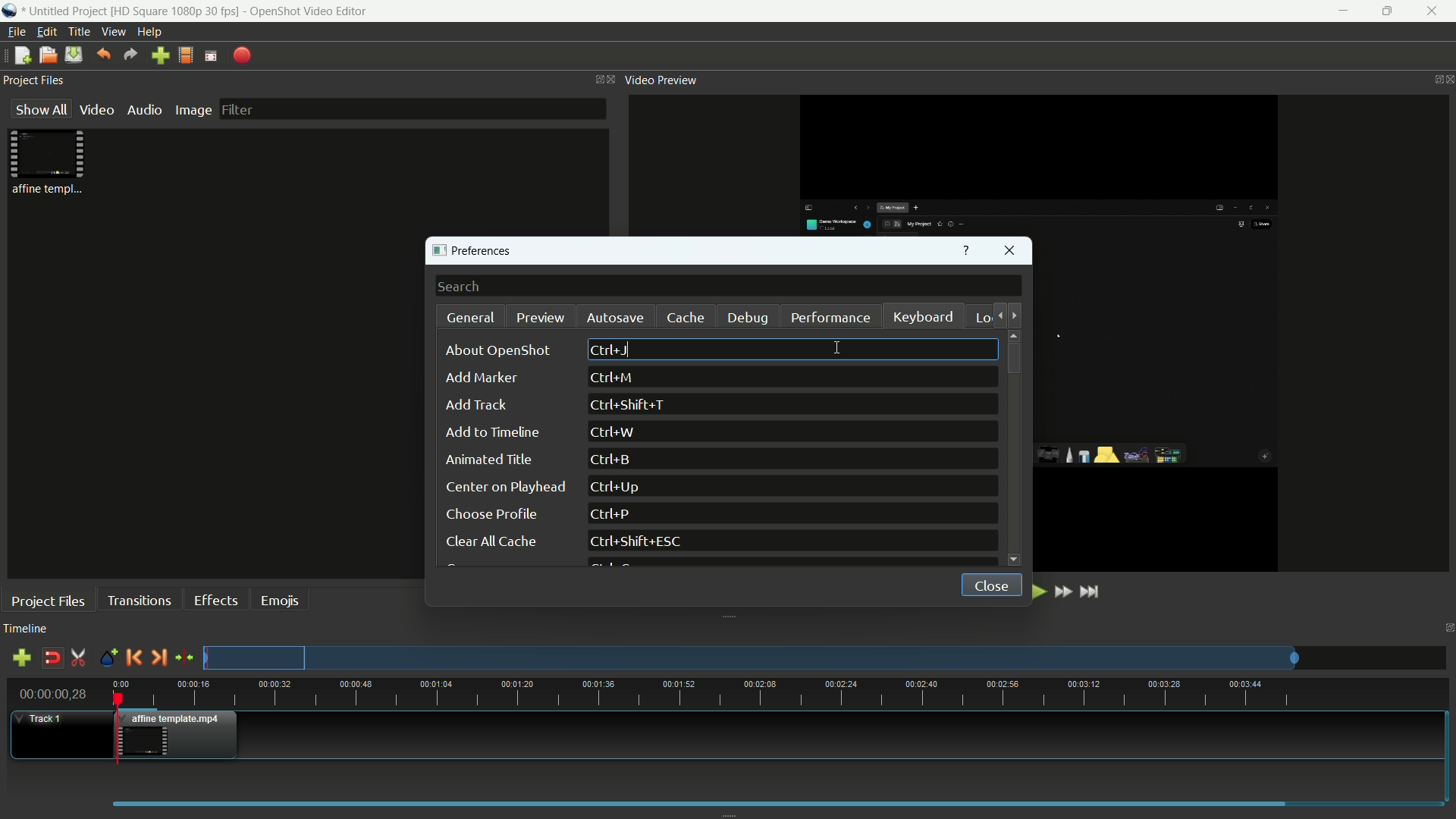  What do you see at coordinates (686, 318) in the screenshot?
I see `cache` at bounding box center [686, 318].